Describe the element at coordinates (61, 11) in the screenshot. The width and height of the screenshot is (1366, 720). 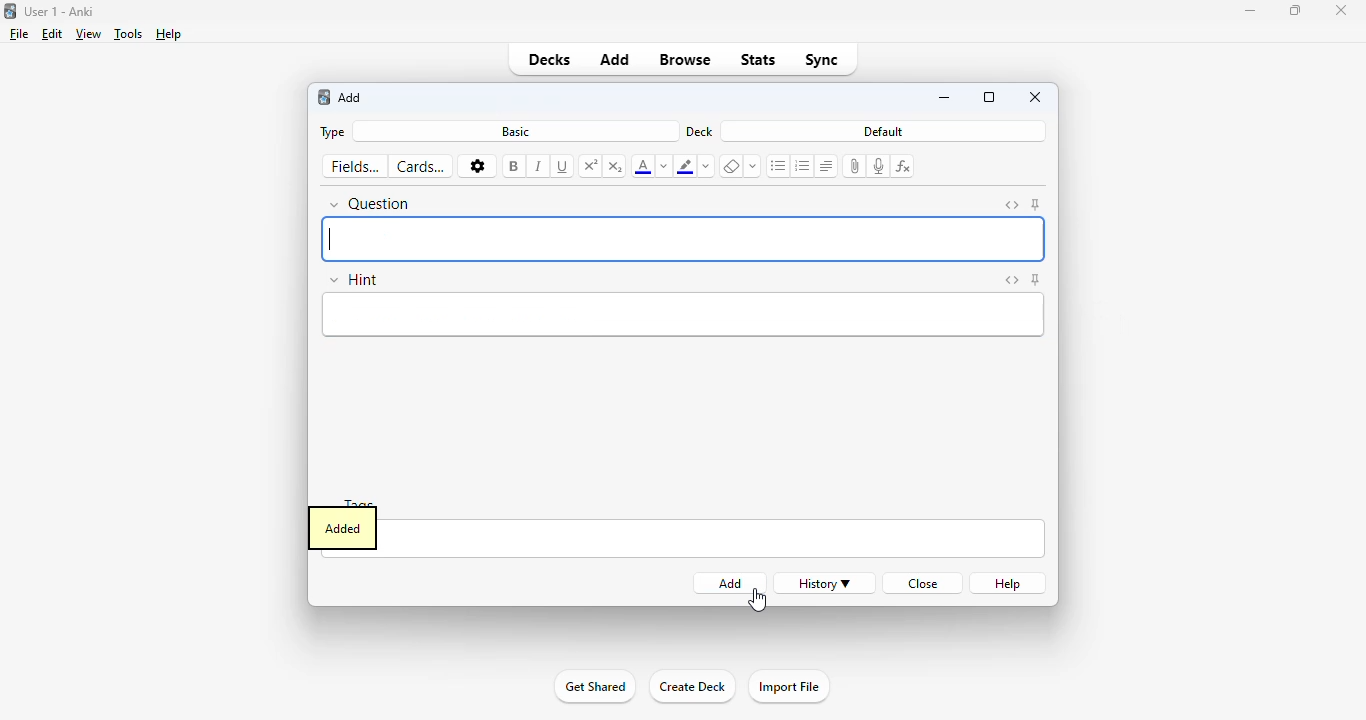
I see `User 1 - Anki` at that location.